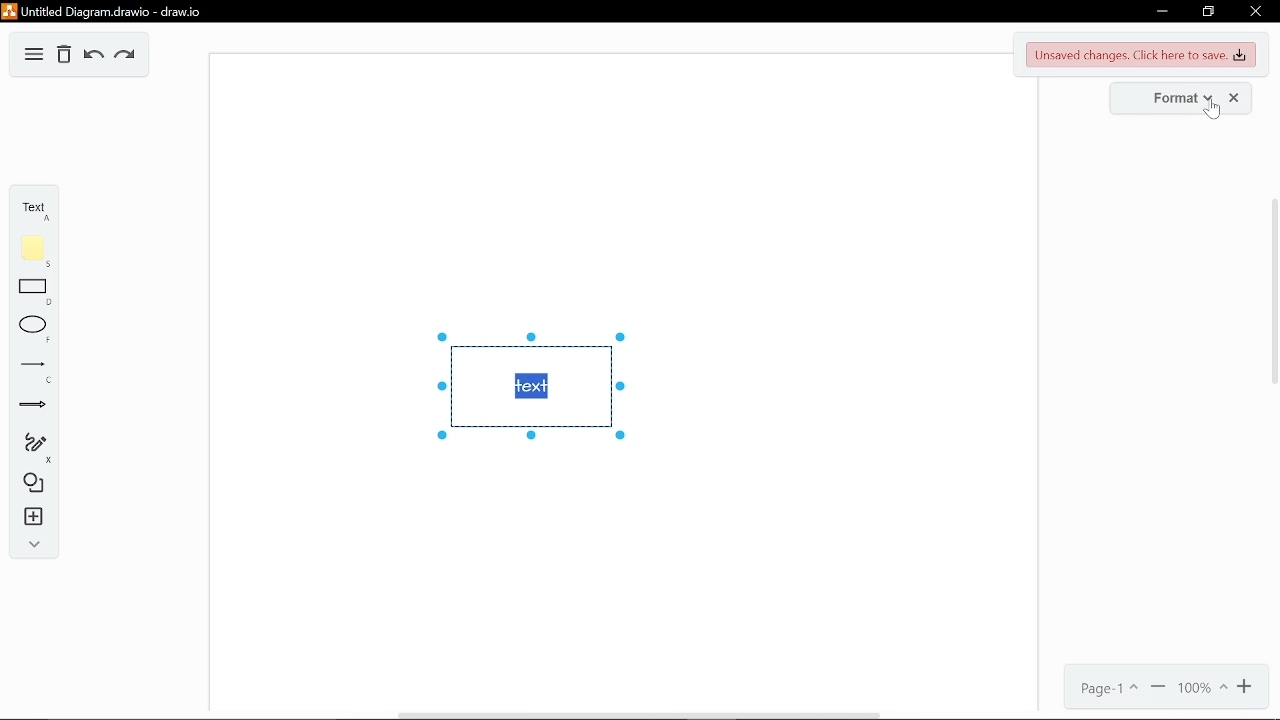 This screenshot has width=1280, height=720. I want to click on untitiled diagram.drawio - draw.io, so click(107, 11).